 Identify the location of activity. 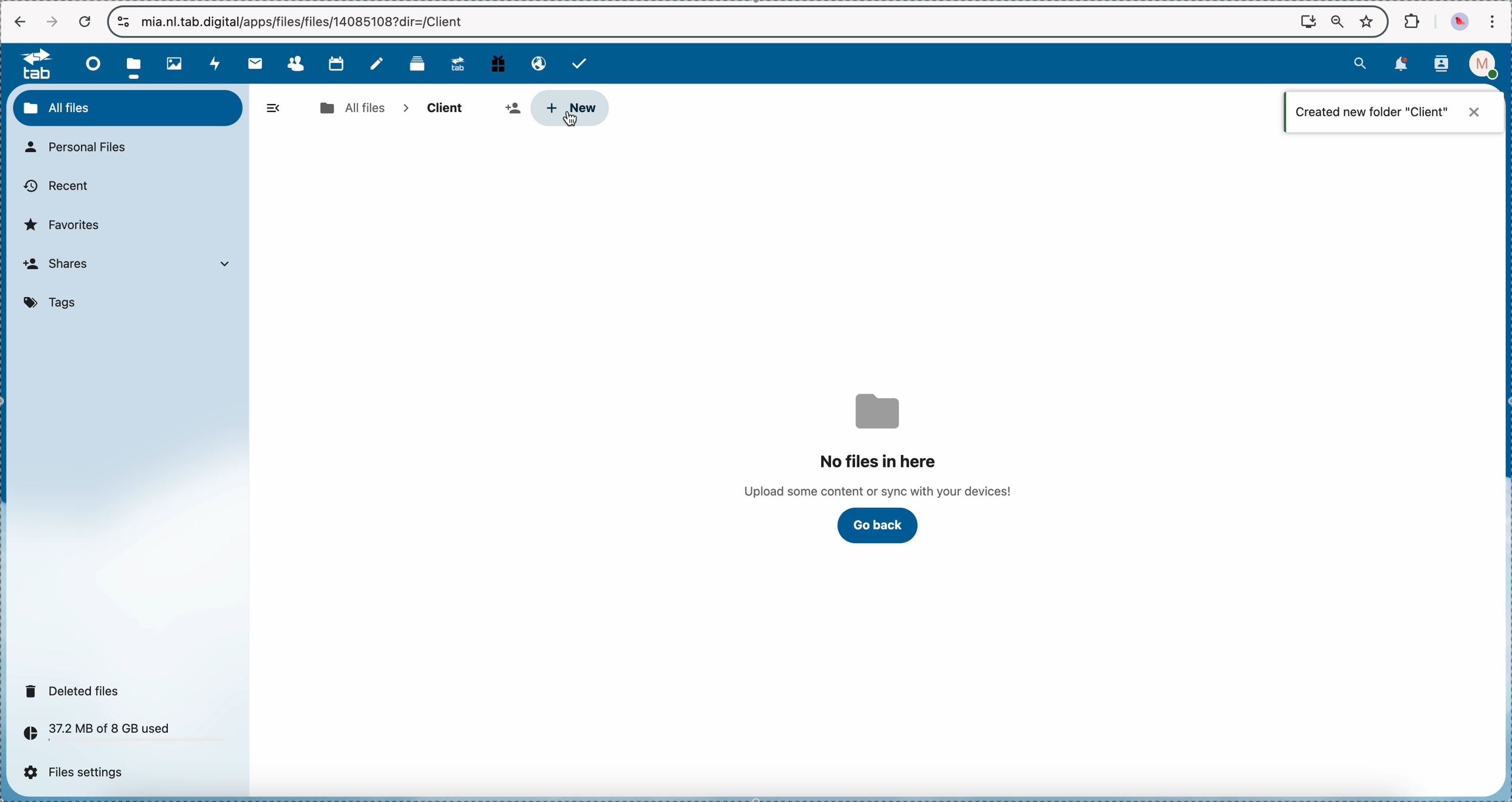
(217, 63).